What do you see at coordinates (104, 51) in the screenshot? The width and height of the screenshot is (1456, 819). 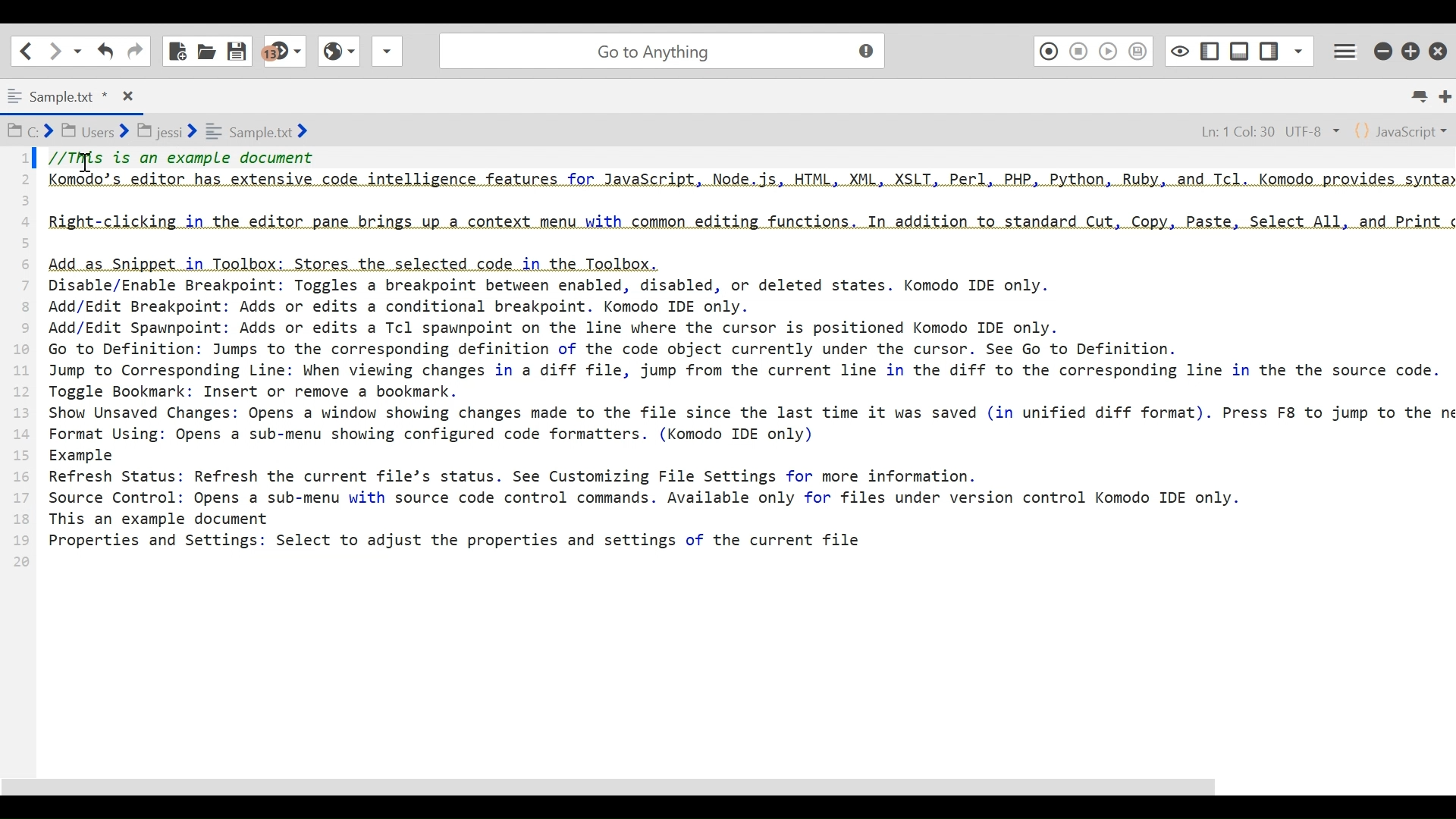 I see `Undo` at bounding box center [104, 51].